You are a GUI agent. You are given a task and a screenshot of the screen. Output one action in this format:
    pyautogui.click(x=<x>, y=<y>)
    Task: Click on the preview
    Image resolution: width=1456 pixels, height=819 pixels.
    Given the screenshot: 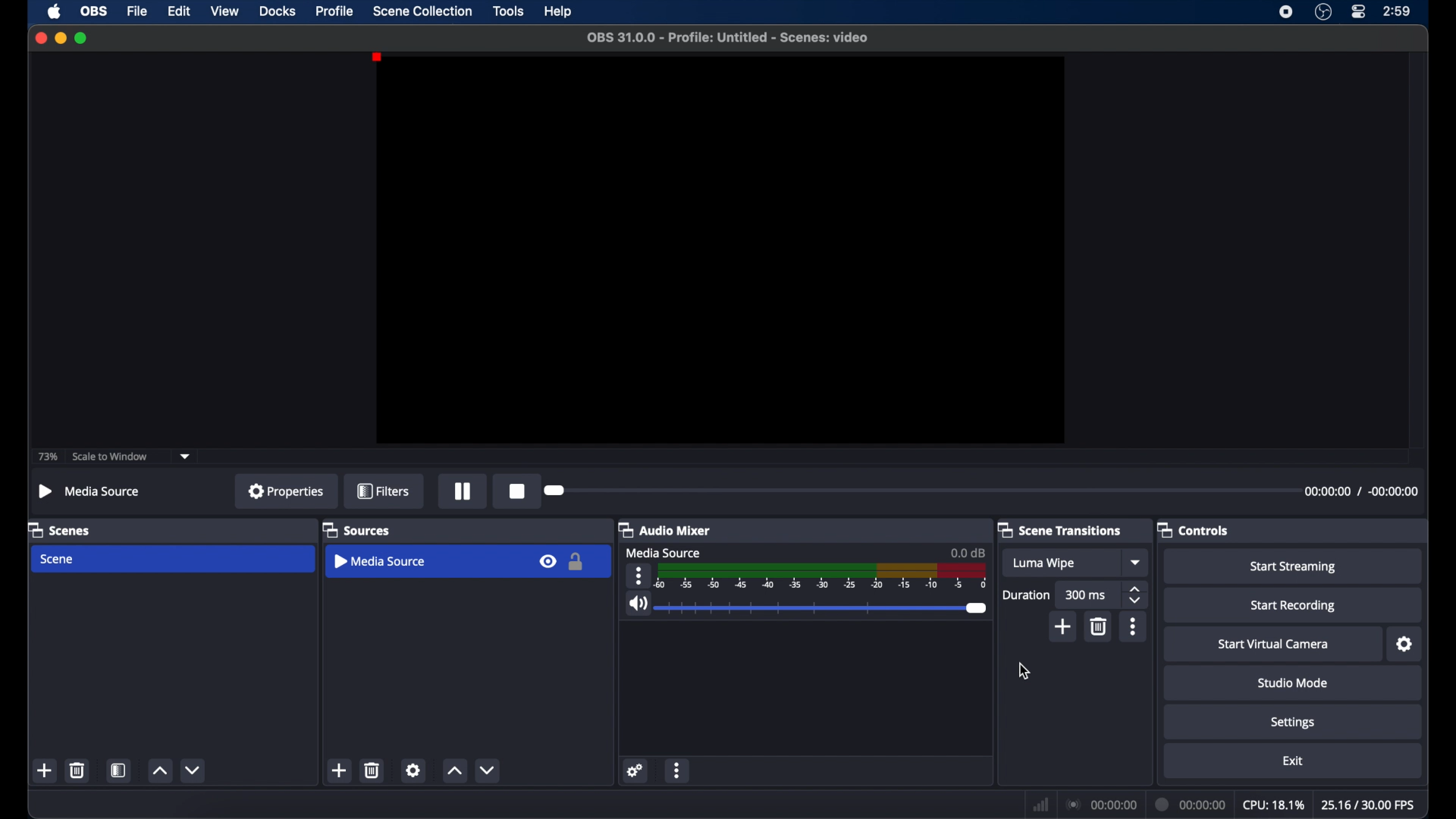 What is the action you would take?
    pyautogui.click(x=720, y=250)
    